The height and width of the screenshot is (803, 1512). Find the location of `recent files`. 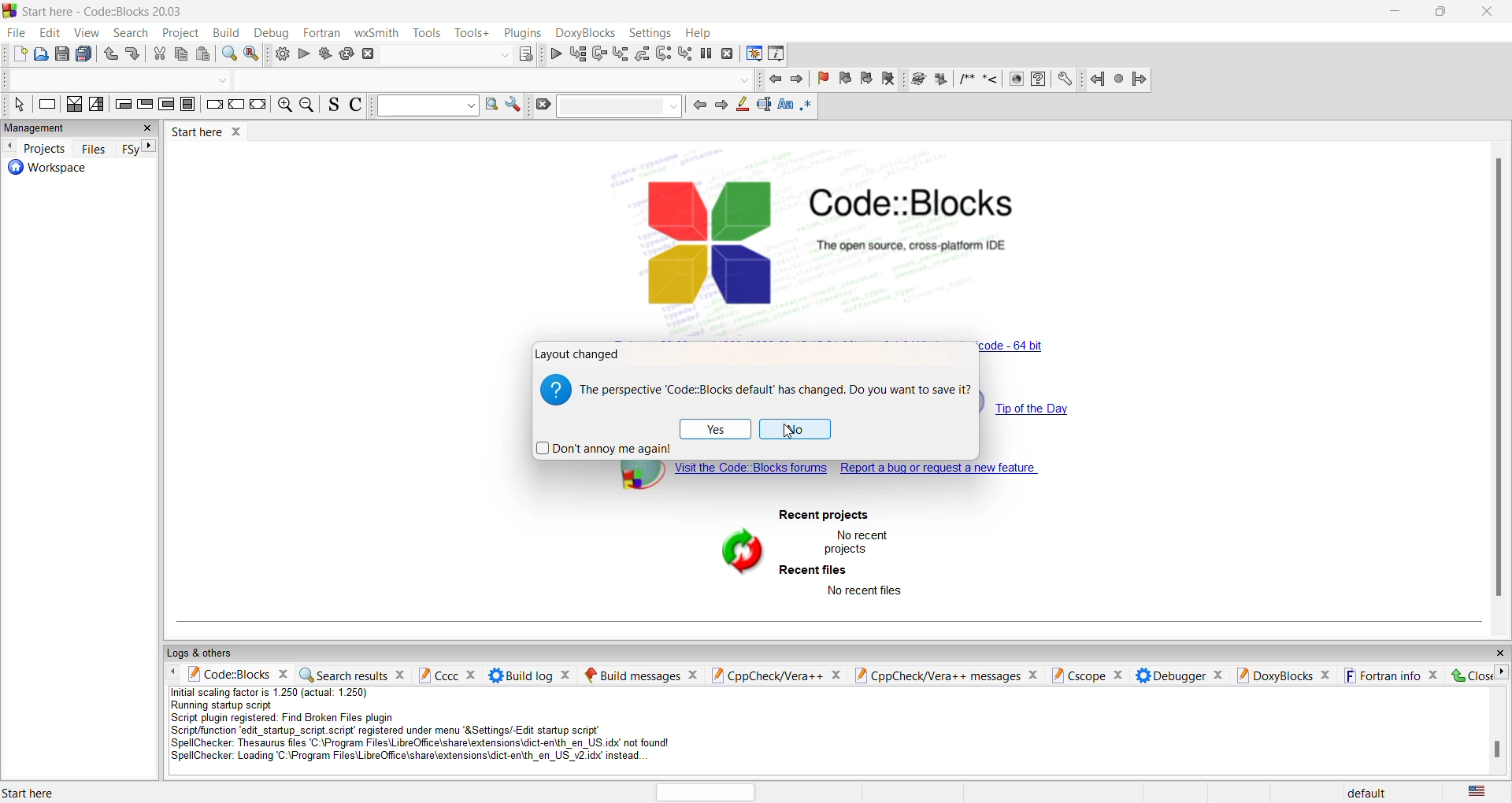

recent files is located at coordinates (814, 570).